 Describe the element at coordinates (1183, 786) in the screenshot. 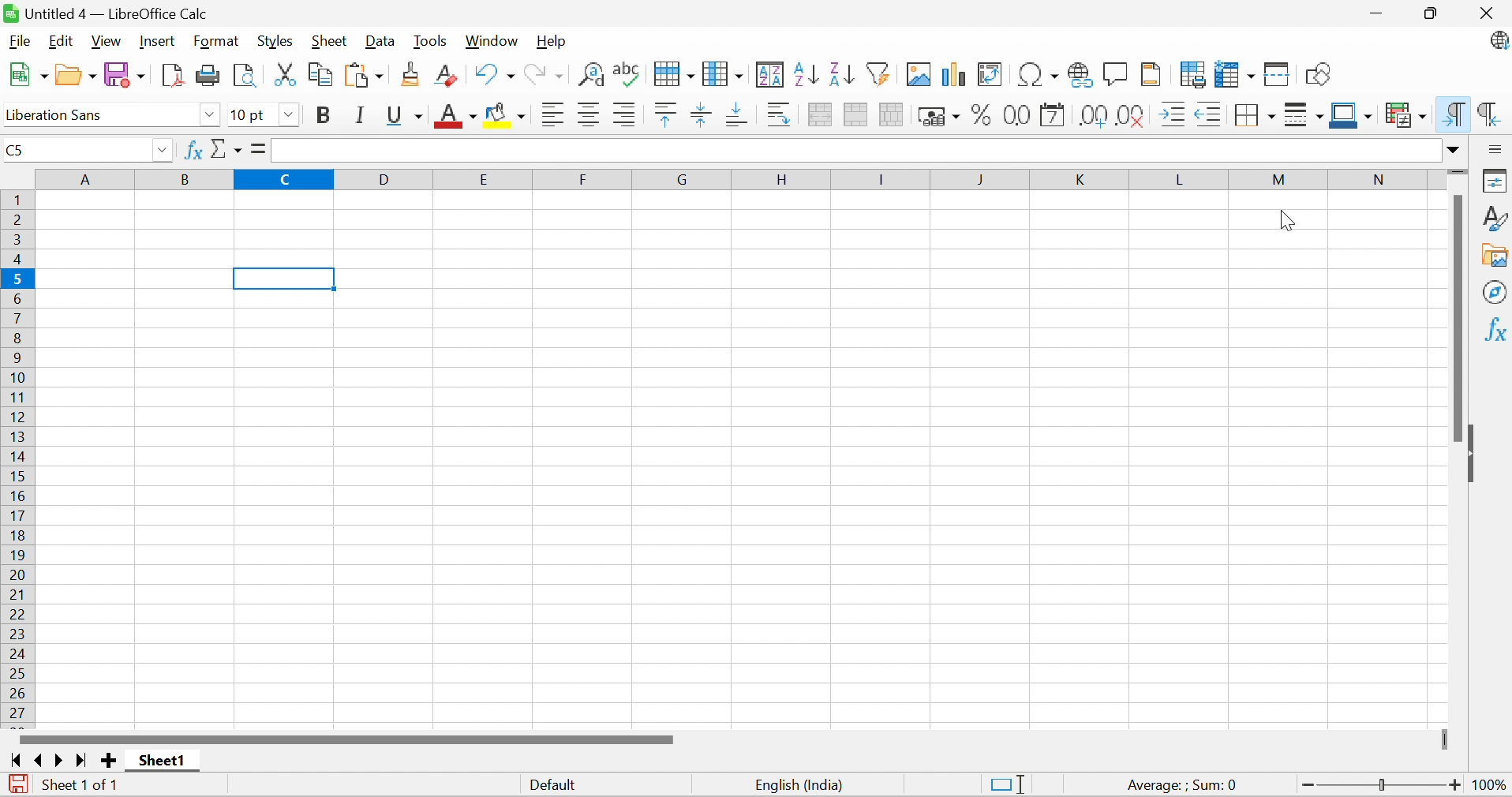

I see `verage ; Sum:0` at that location.